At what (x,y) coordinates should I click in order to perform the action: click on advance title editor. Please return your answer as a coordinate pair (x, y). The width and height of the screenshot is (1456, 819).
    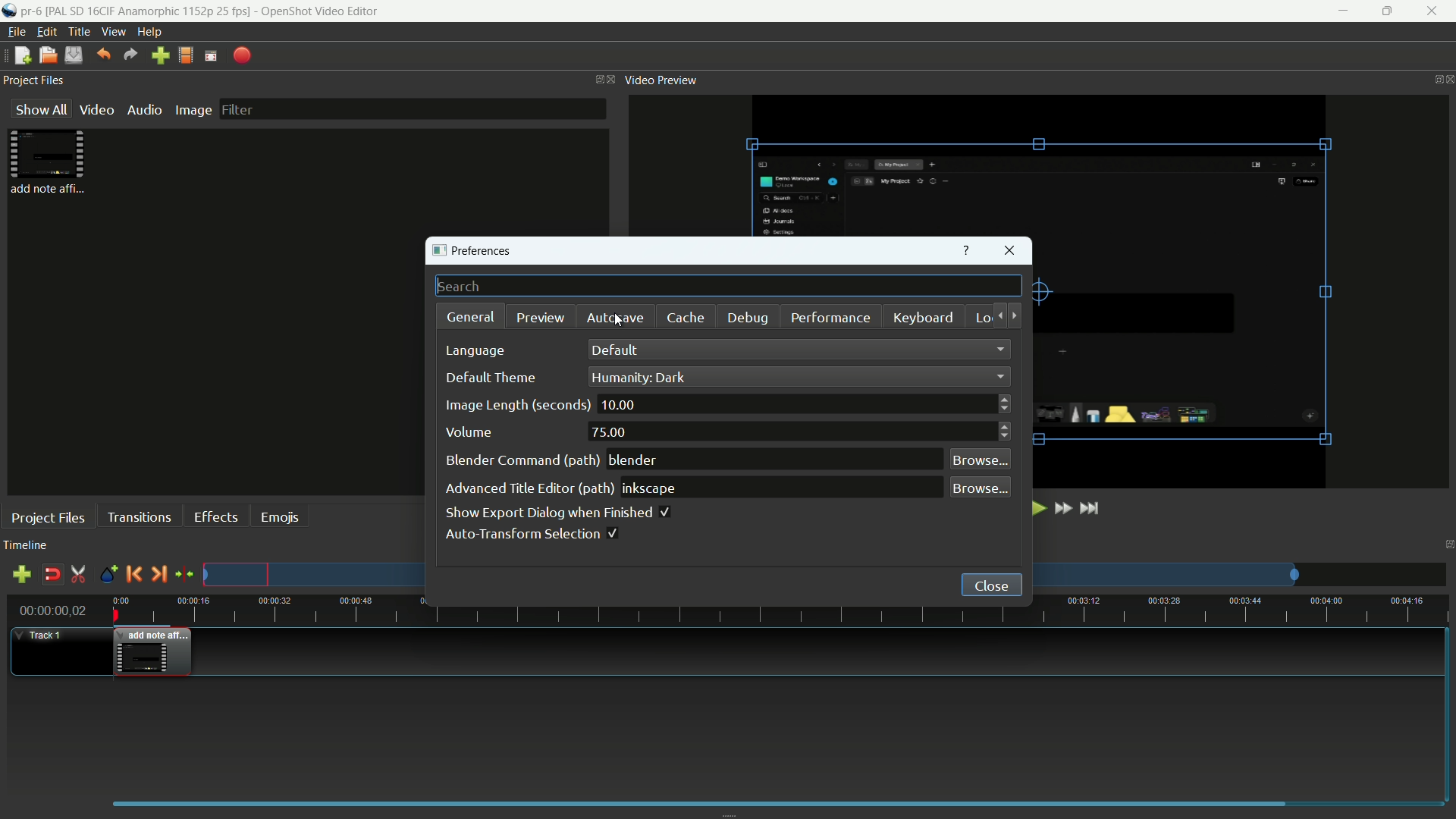
    Looking at the image, I should click on (530, 490).